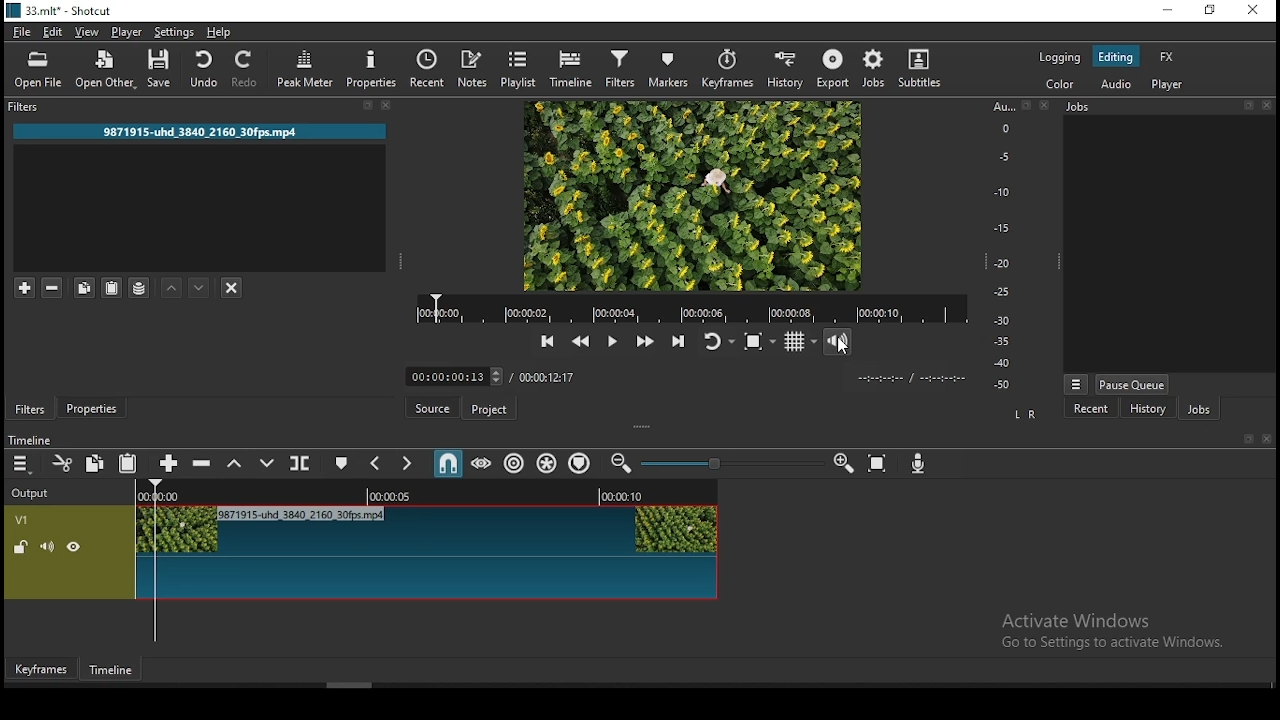  I want to click on record audio, so click(915, 465).